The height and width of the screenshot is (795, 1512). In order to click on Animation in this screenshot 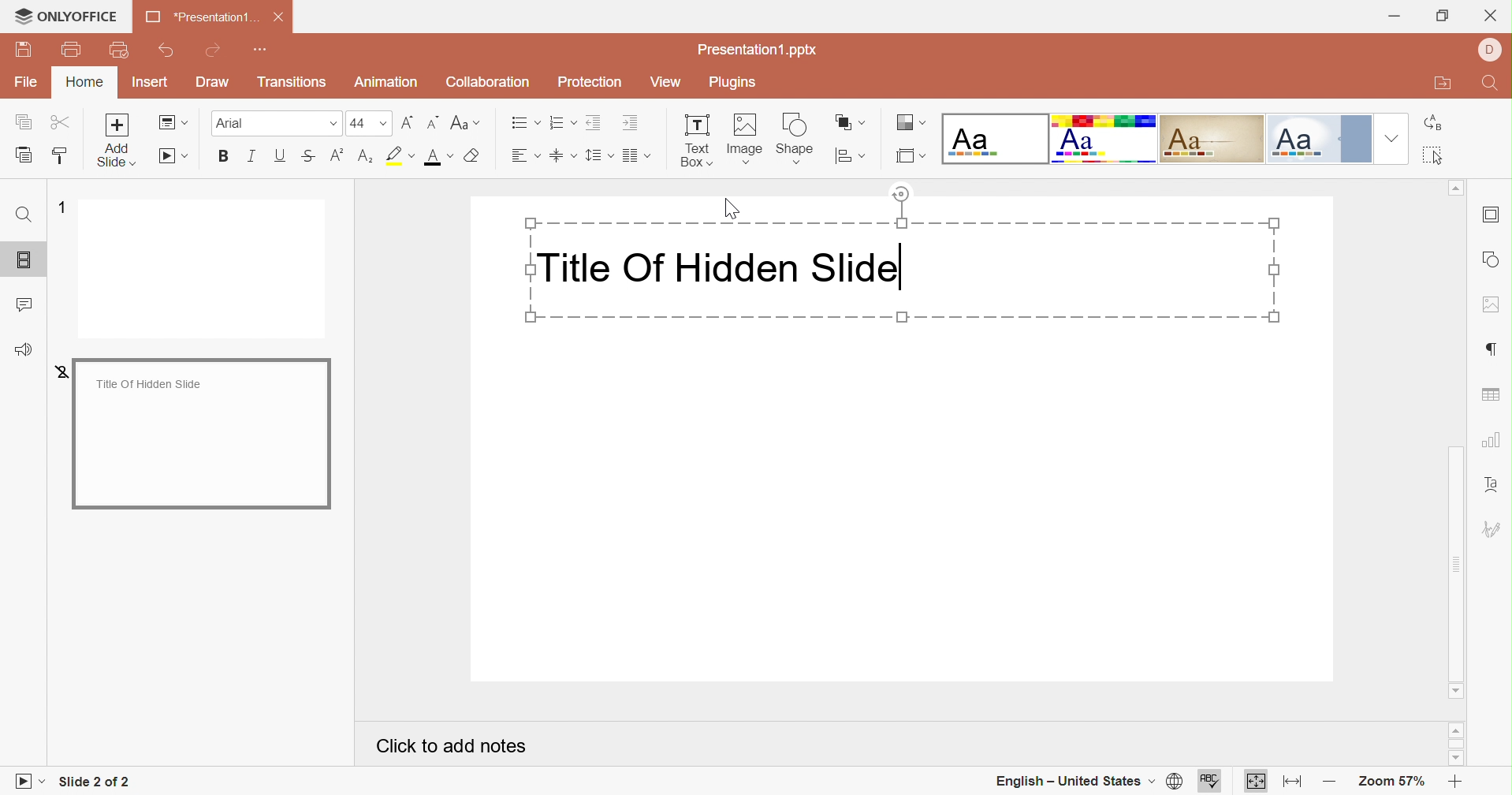, I will do `click(389, 82)`.